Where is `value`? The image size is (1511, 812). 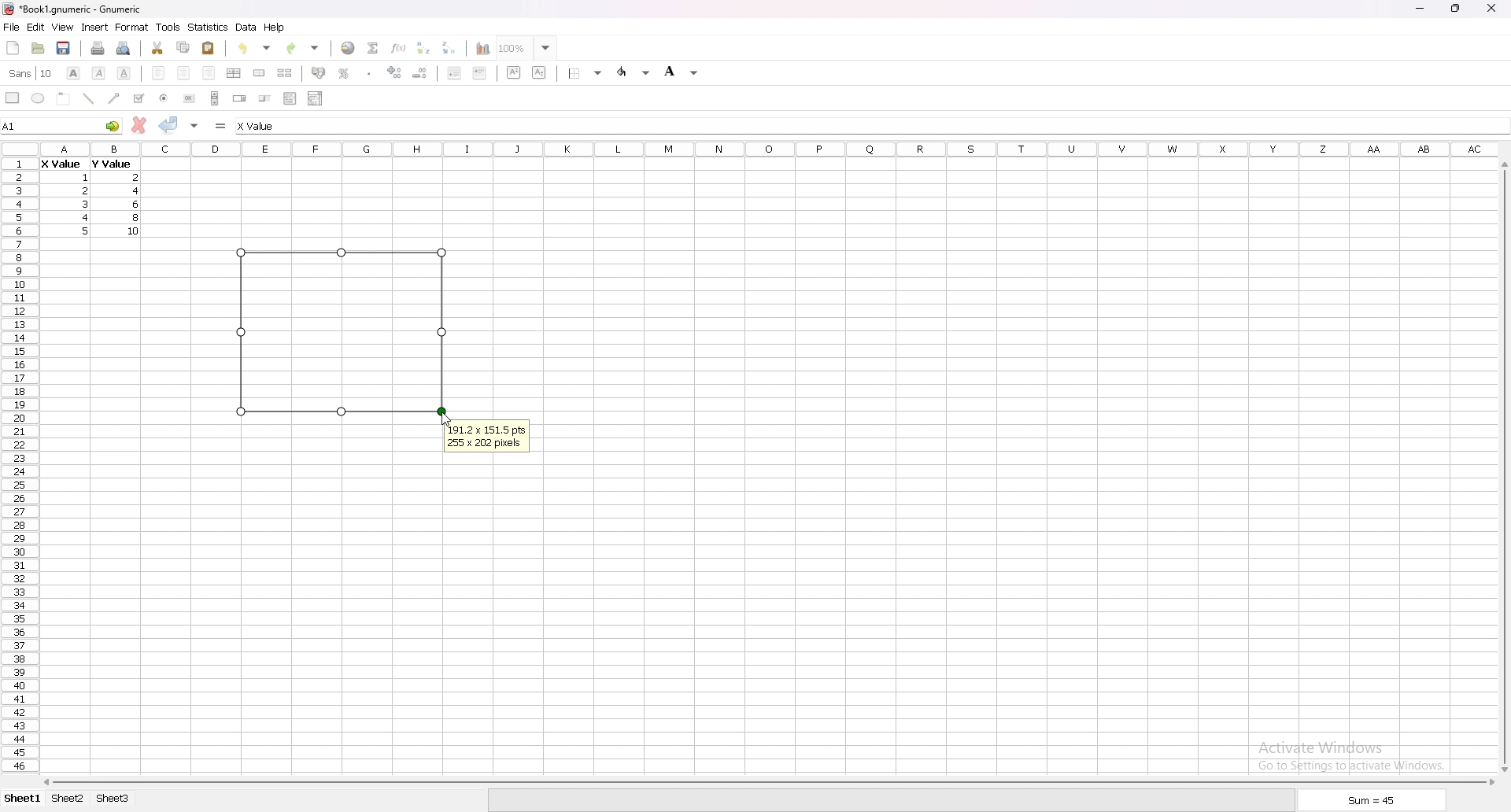 value is located at coordinates (87, 217).